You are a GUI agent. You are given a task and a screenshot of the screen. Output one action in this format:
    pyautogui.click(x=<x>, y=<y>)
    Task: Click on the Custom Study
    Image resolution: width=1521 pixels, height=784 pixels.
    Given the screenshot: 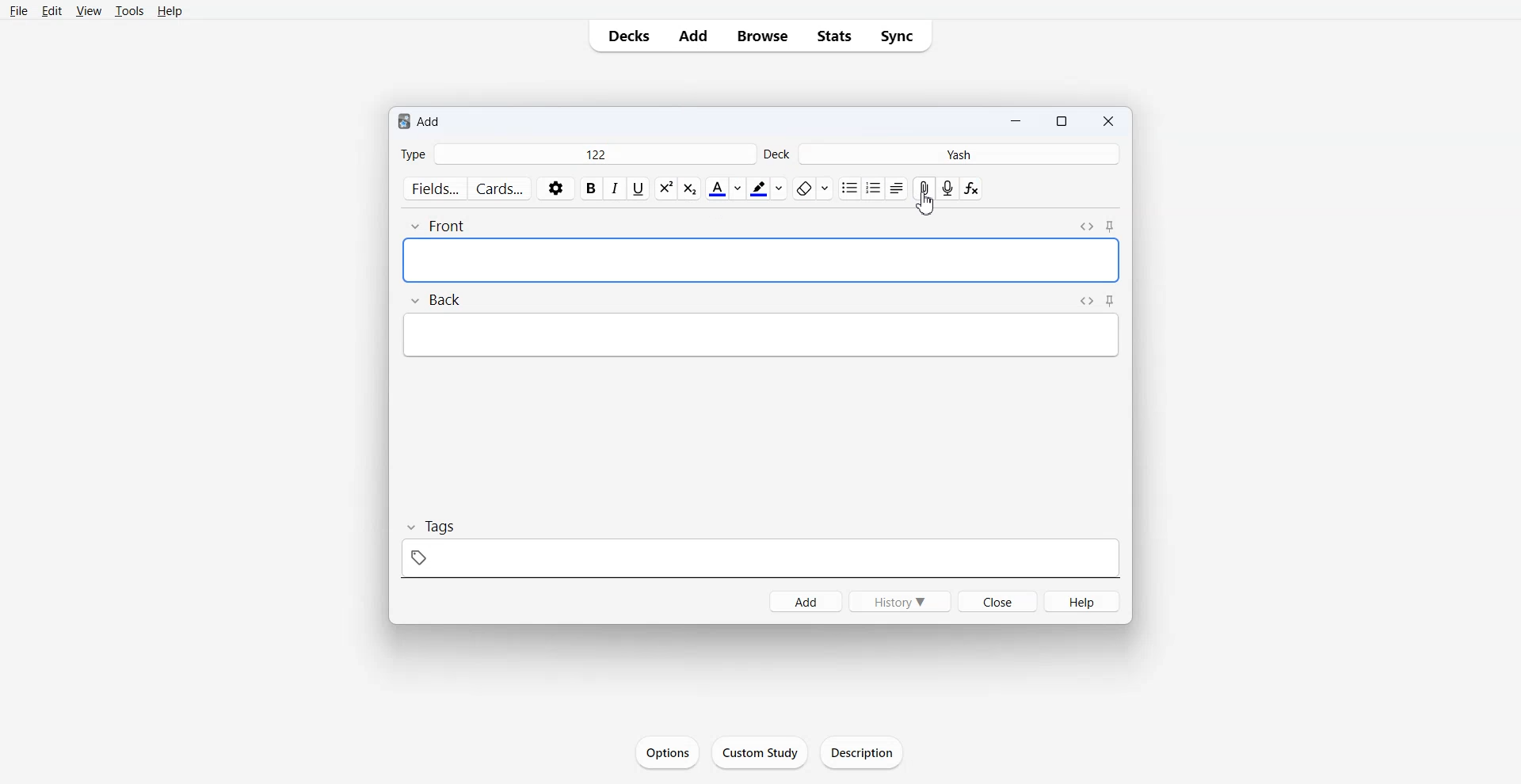 What is the action you would take?
    pyautogui.click(x=760, y=752)
    